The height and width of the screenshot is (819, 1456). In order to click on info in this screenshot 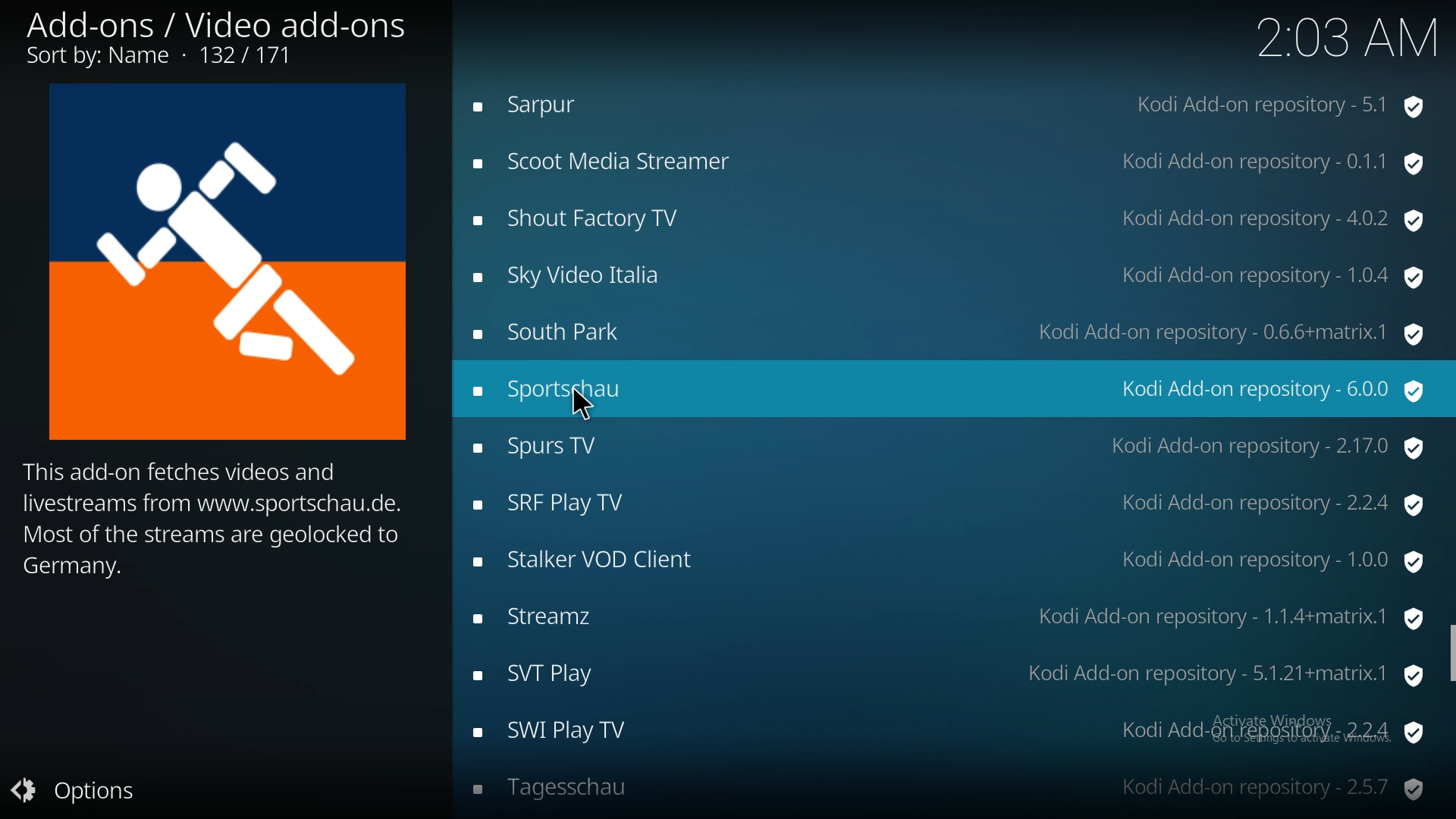, I will do `click(212, 519)`.